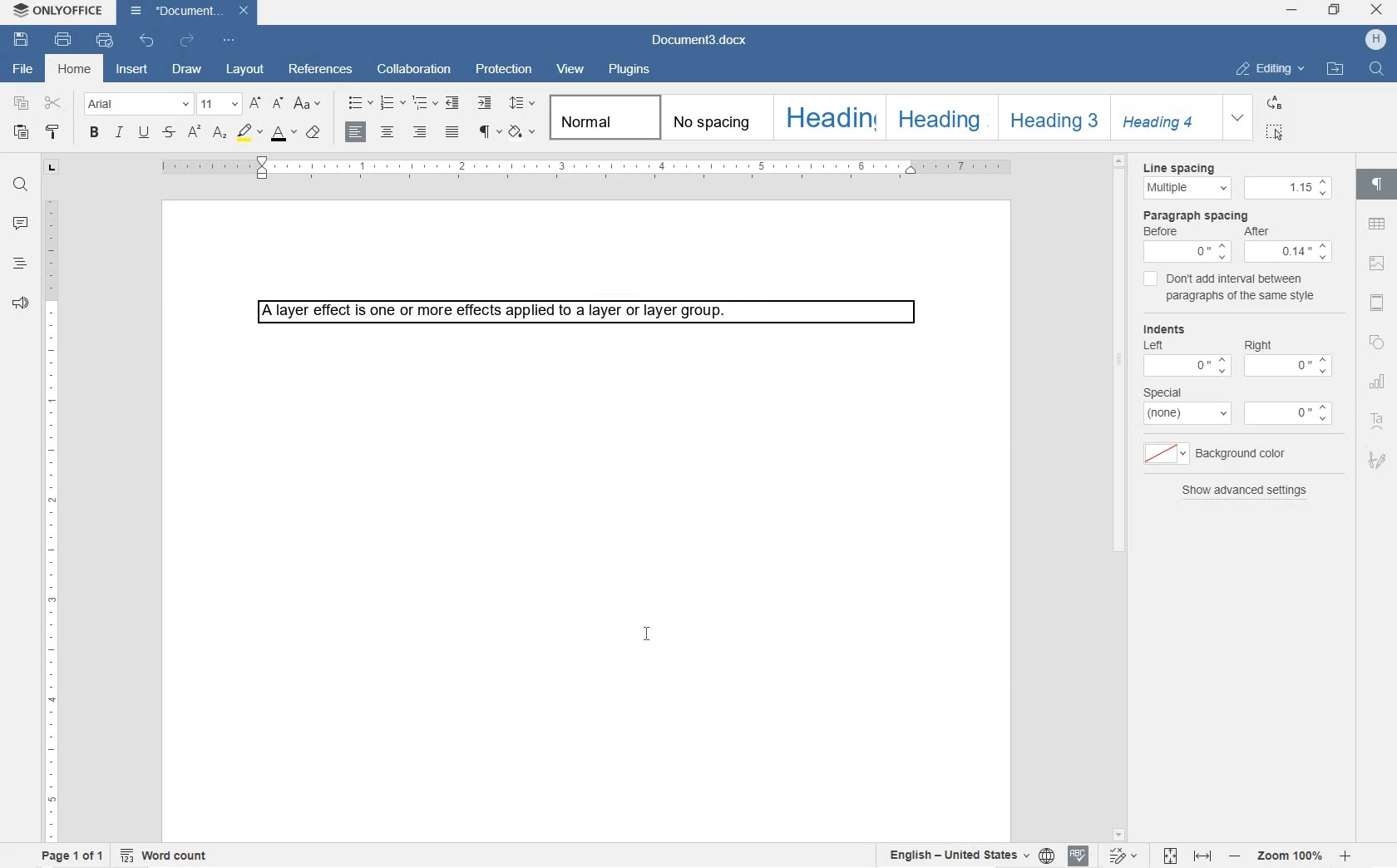  What do you see at coordinates (1377, 341) in the screenshot?
I see `SHAPE` at bounding box center [1377, 341].